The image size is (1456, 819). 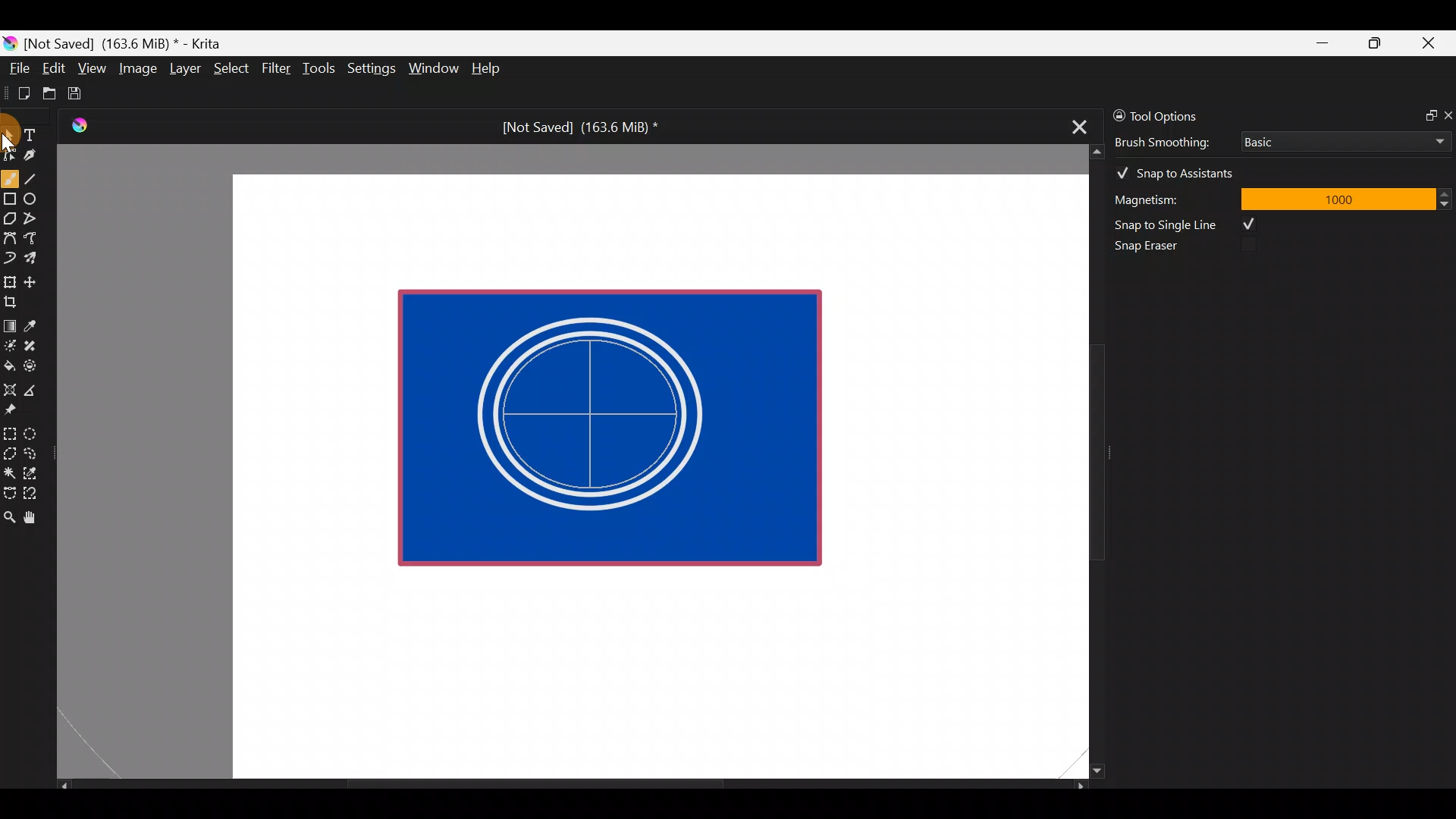 What do you see at coordinates (1156, 249) in the screenshot?
I see `Snap eraser` at bounding box center [1156, 249].